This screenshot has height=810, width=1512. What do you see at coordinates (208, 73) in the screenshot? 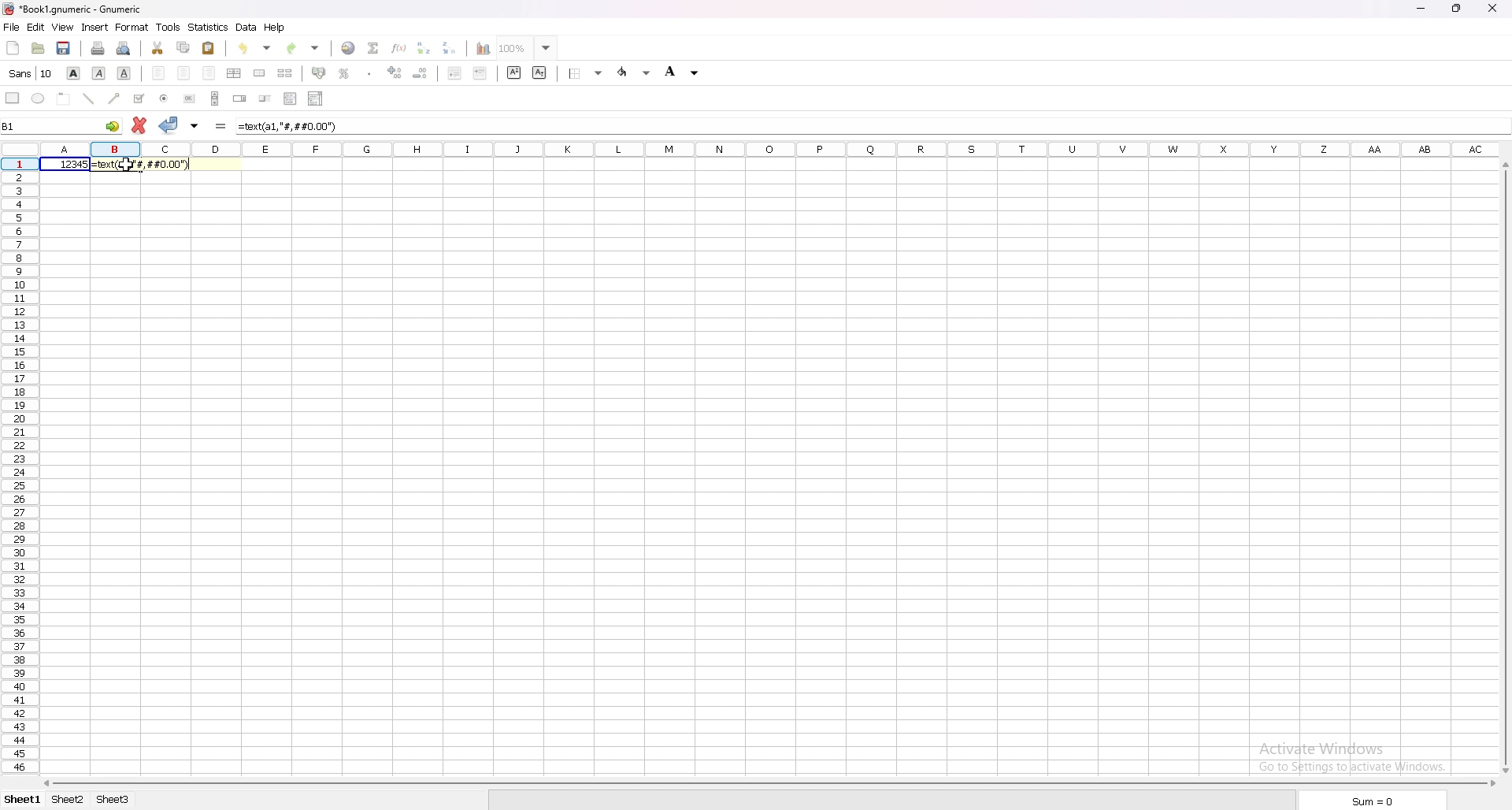
I see `align right` at bounding box center [208, 73].